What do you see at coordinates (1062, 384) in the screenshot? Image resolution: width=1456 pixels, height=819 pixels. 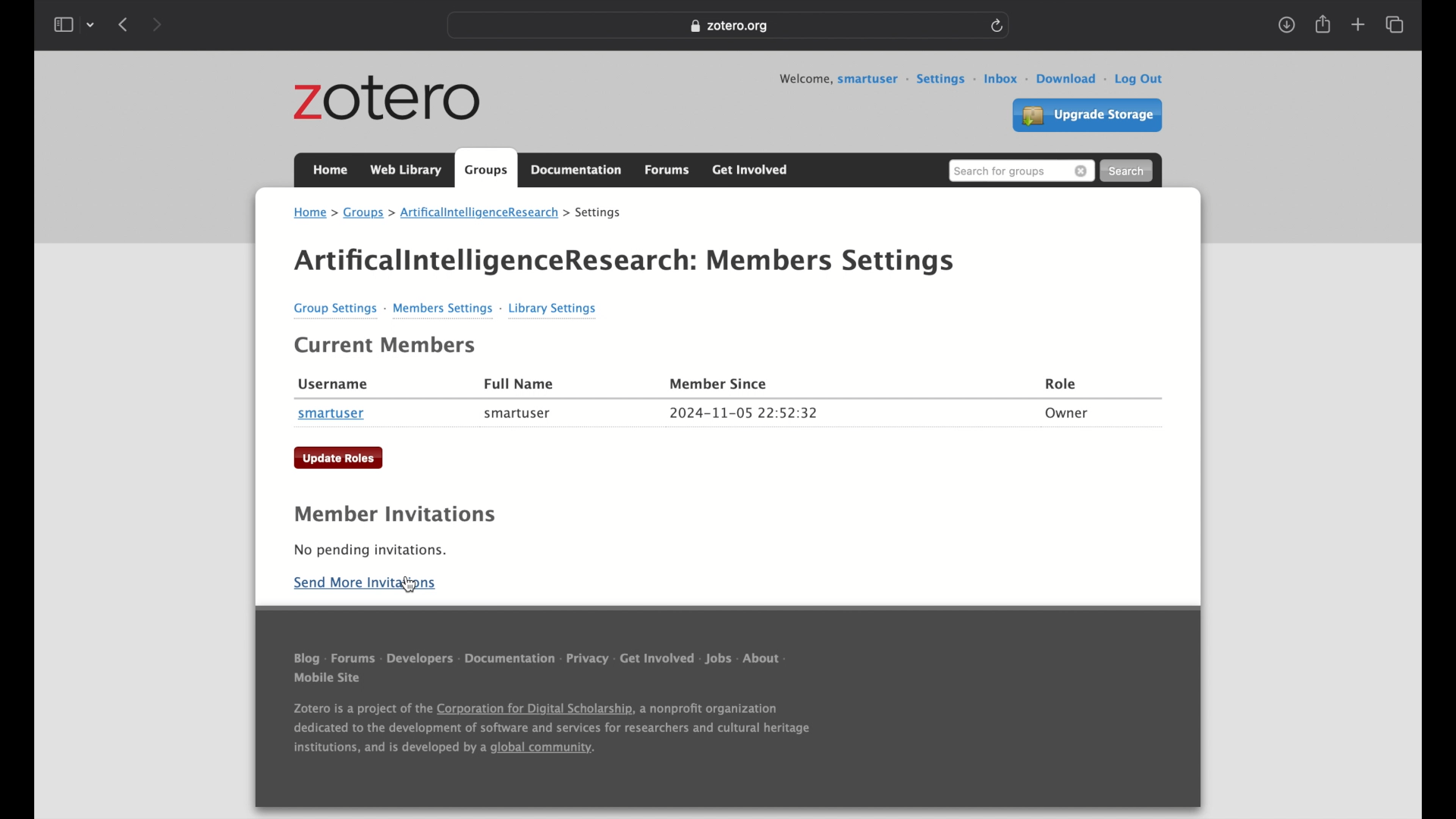 I see `role` at bounding box center [1062, 384].